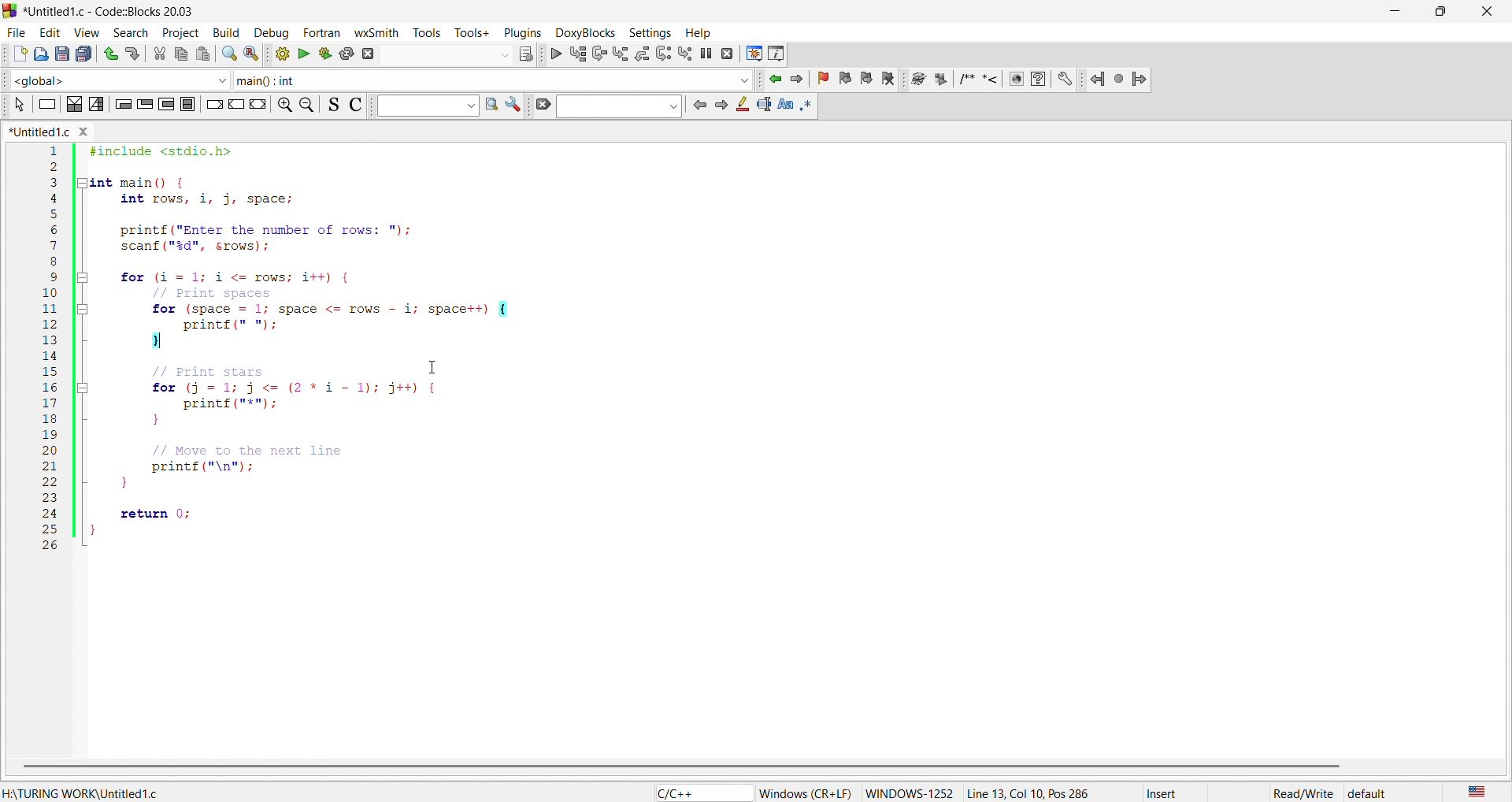  Describe the element at coordinates (273, 32) in the screenshot. I see `debug` at that location.